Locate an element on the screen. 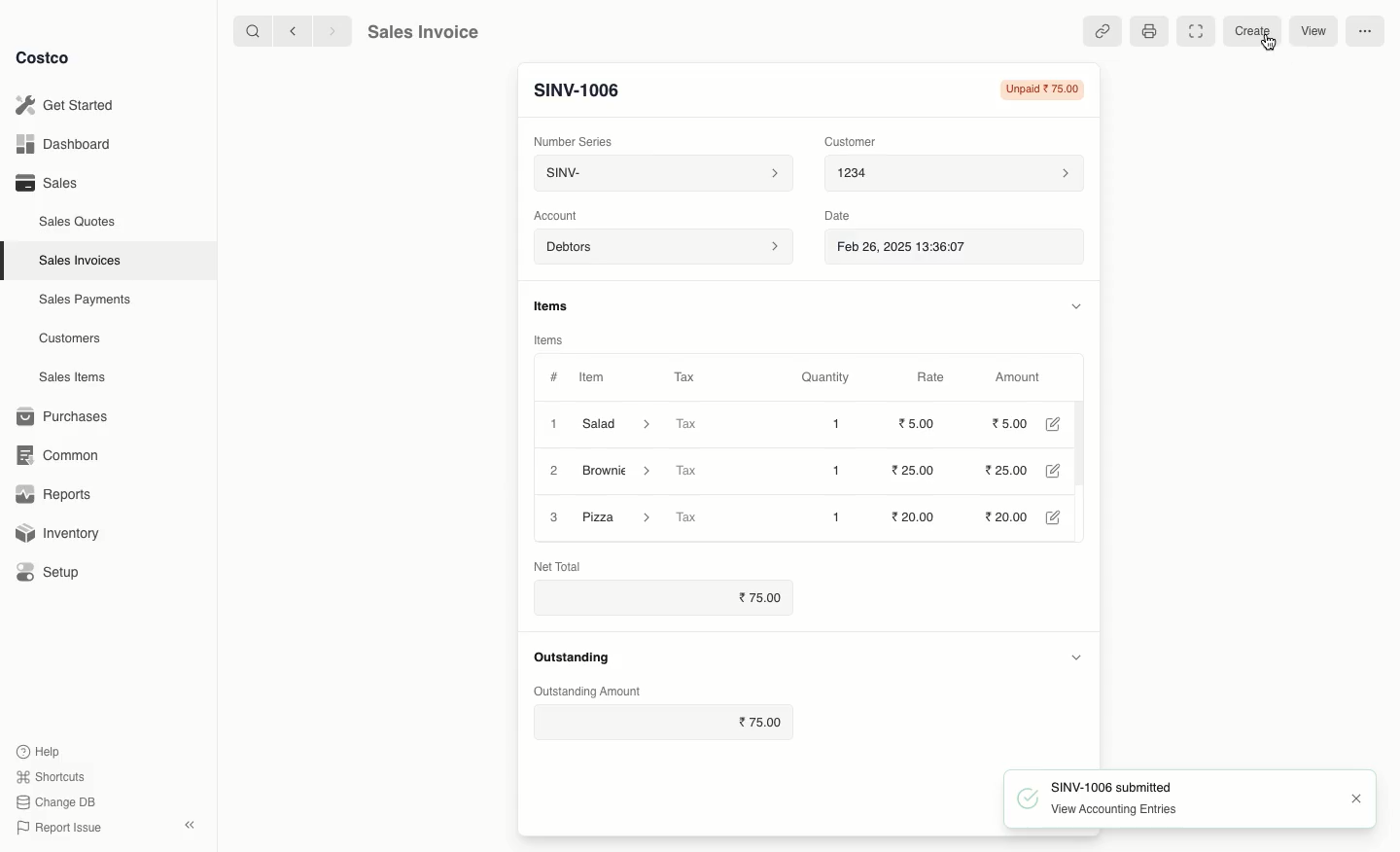  Sales Items is located at coordinates (77, 377).